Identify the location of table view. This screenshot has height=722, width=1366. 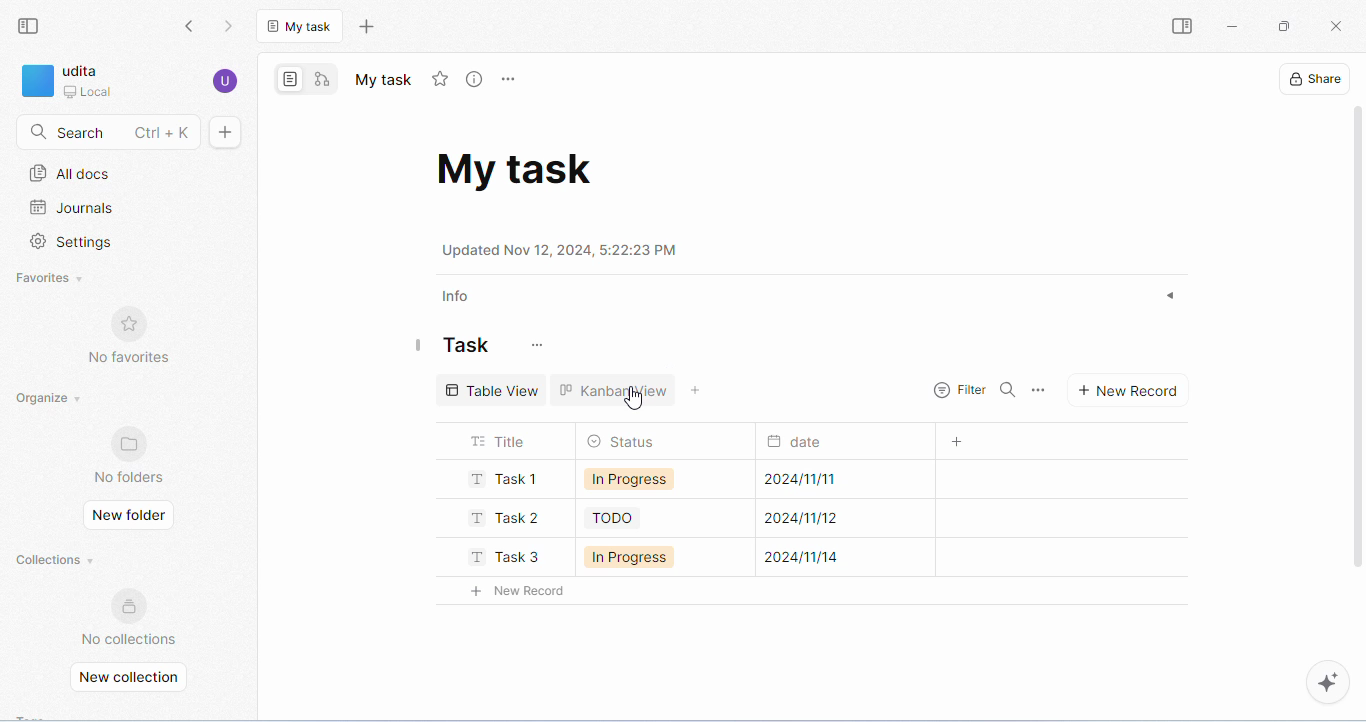
(491, 390).